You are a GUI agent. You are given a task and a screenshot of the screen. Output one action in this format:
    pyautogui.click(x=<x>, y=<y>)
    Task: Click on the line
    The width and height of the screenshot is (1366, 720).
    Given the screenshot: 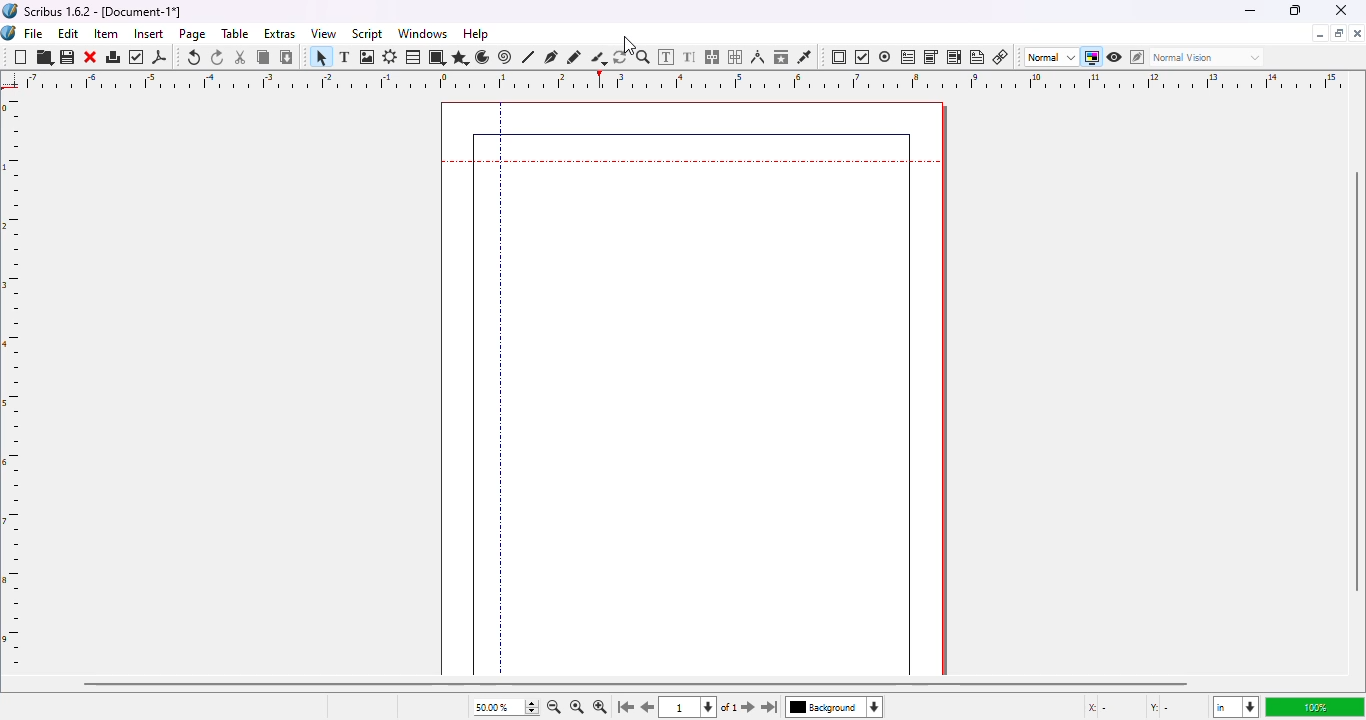 What is the action you would take?
    pyautogui.click(x=529, y=57)
    